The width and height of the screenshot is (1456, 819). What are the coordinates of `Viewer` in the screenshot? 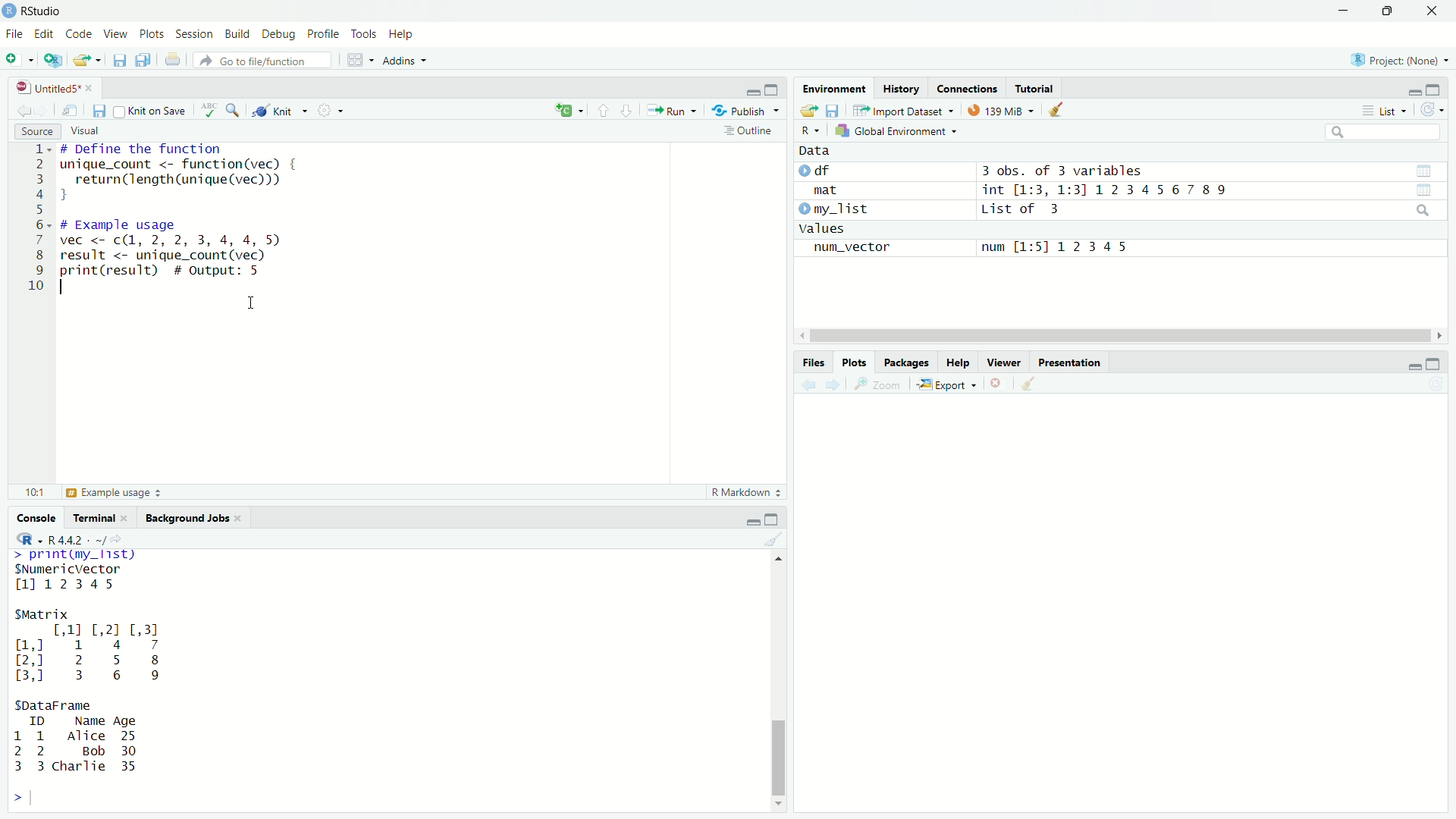 It's located at (1006, 362).